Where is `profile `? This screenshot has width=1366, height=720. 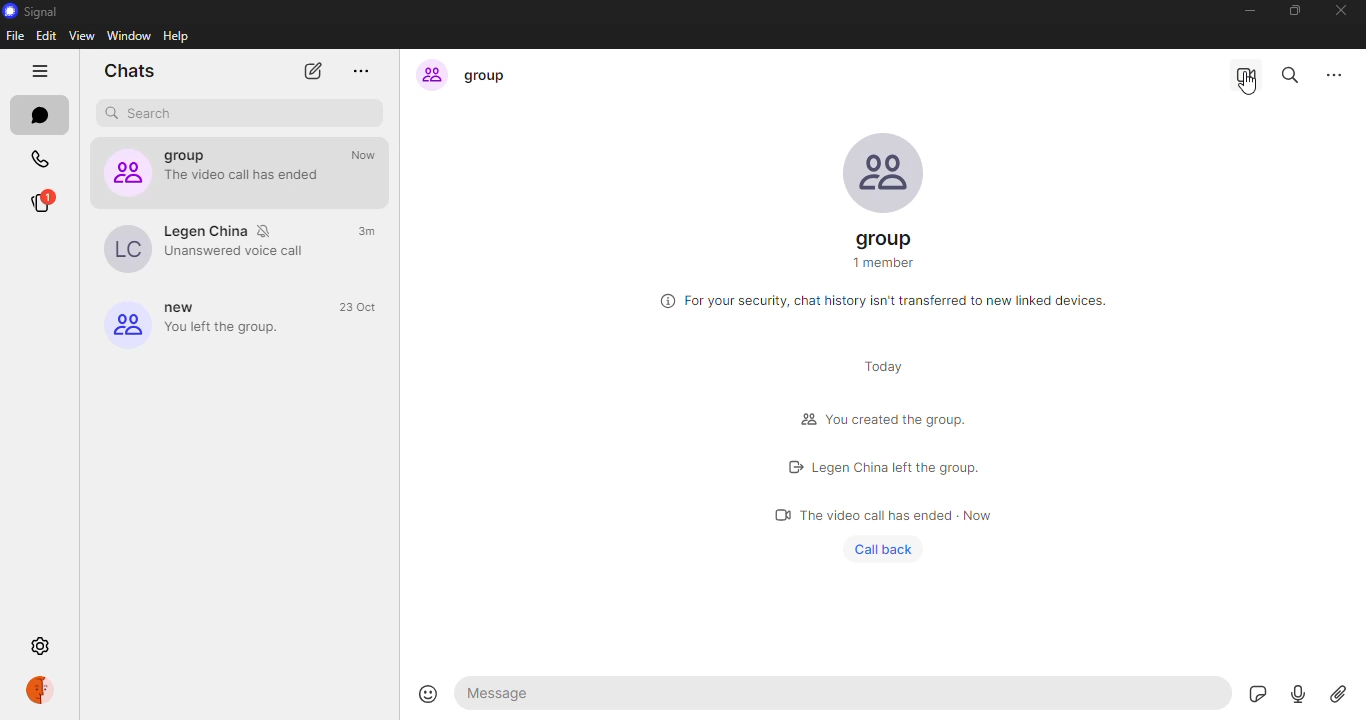 profile  is located at coordinates (890, 170).